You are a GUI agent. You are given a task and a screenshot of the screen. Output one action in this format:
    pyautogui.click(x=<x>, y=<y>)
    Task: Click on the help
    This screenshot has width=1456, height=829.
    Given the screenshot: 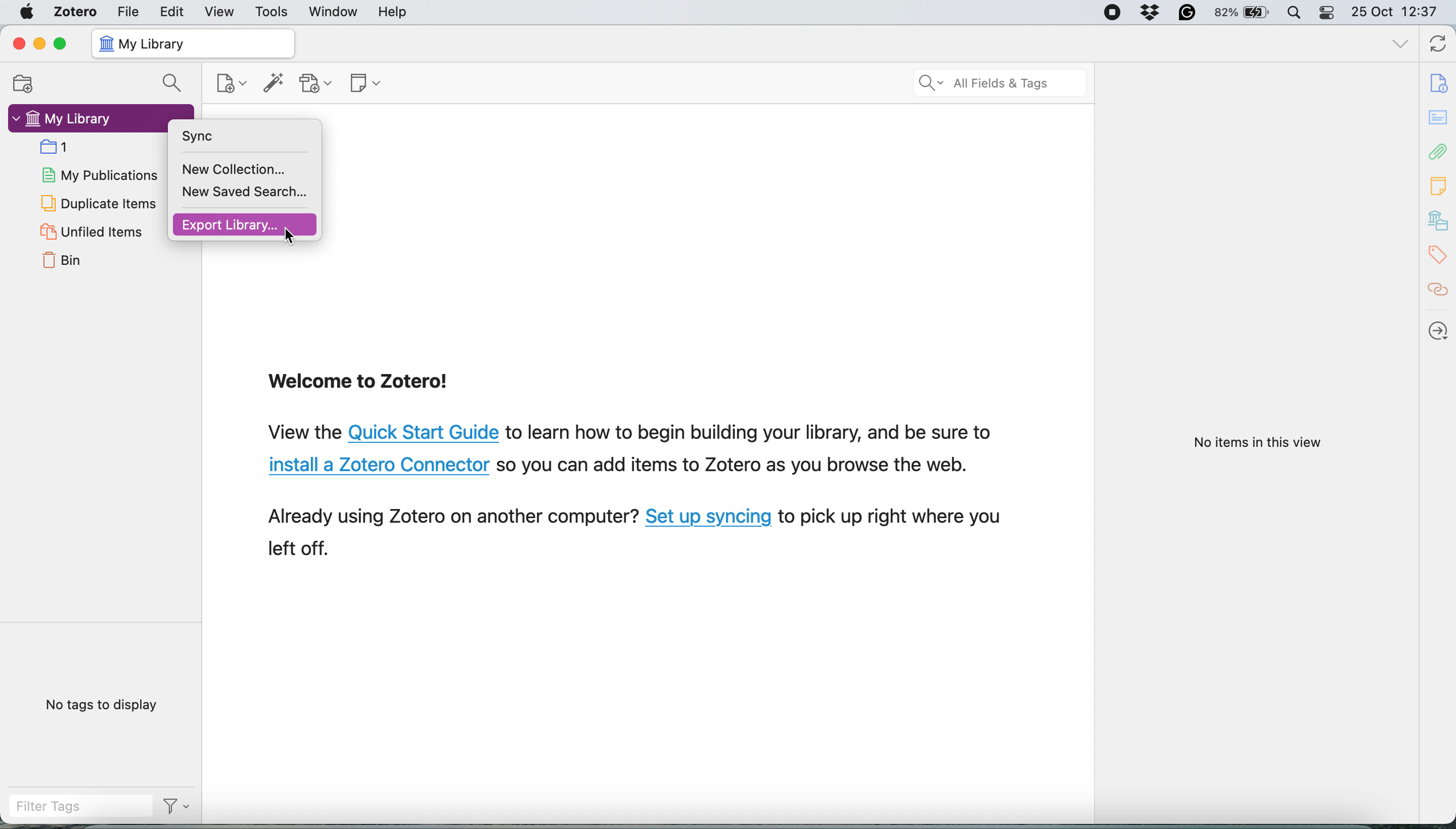 What is the action you would take?
    pyautogui.click(x=396, y=13)
    